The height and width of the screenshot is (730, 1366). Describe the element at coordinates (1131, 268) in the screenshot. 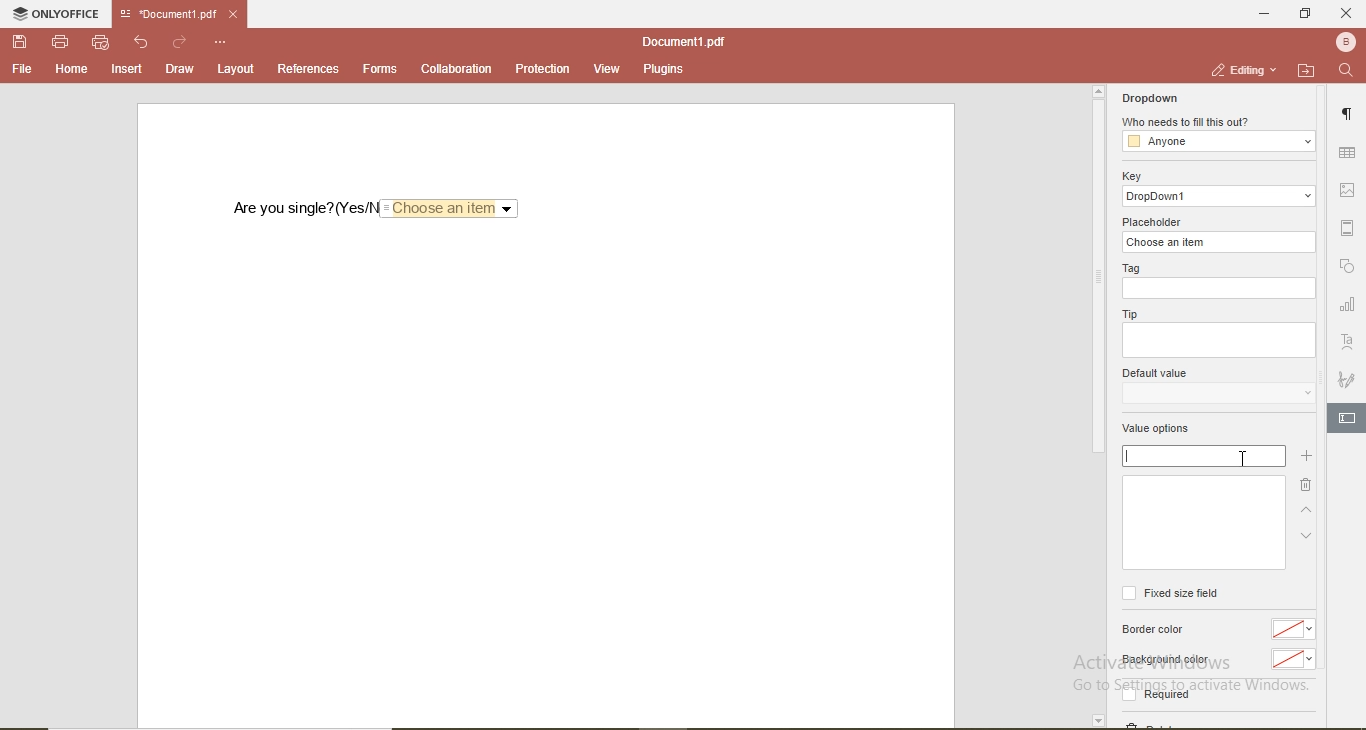

I see `tag` at that location.